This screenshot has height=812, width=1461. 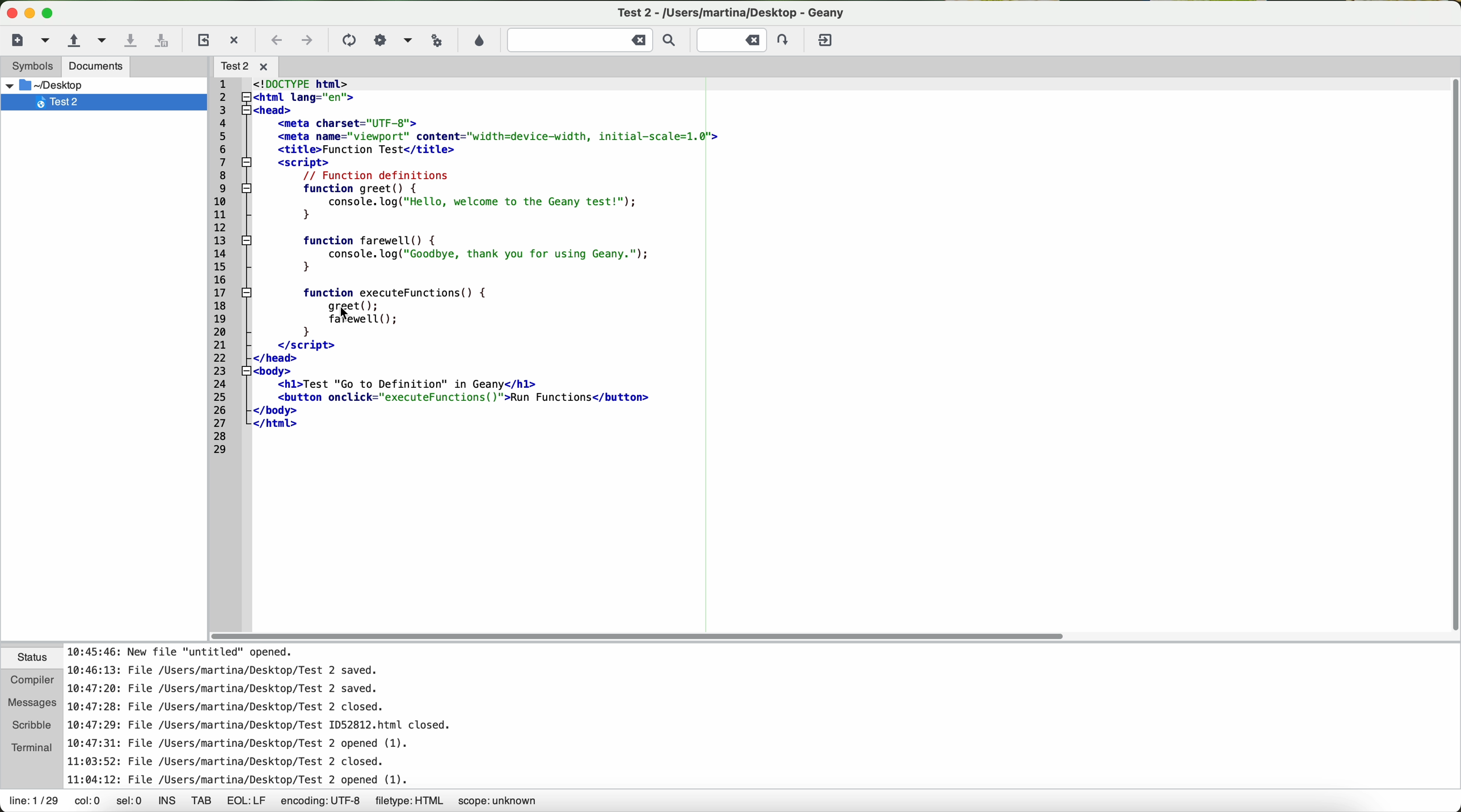 I want to click on documents, so click(x=96, y=66).